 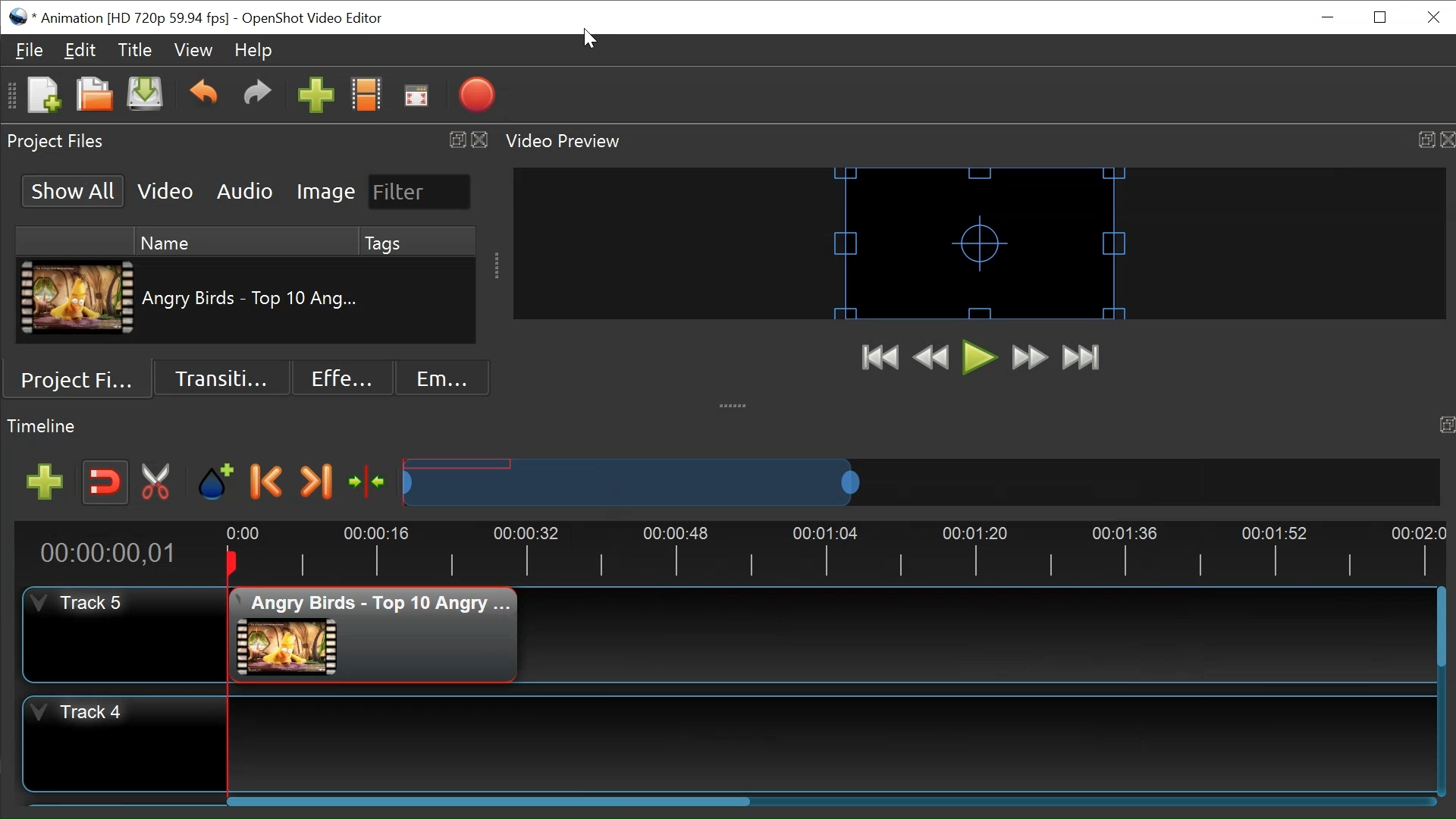 I want to click on Open Project, so click(x=40, y=96).